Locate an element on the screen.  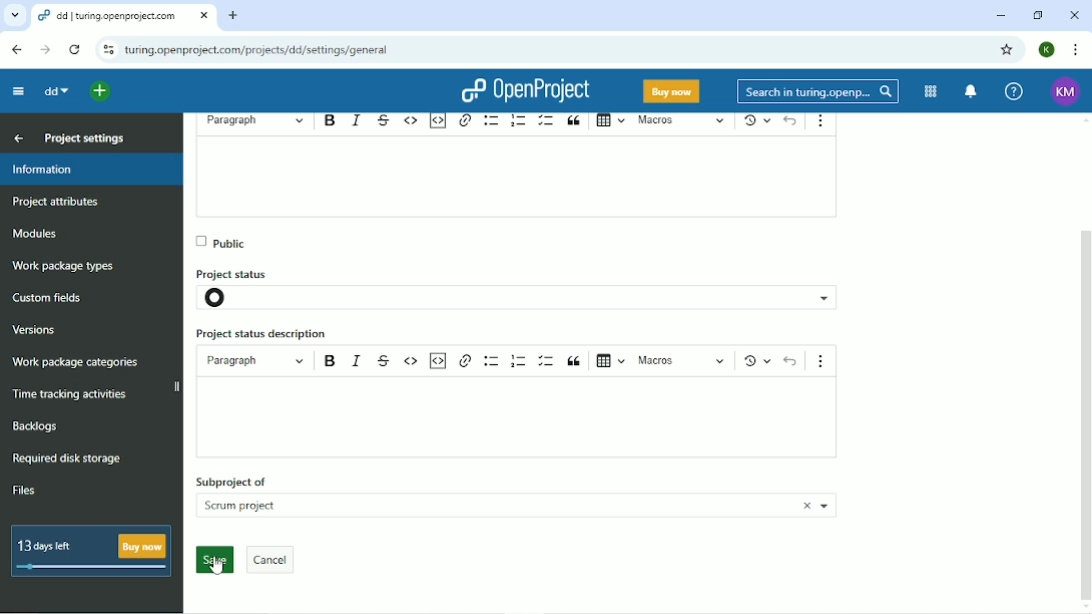
13 days left buy now is located at coordinates (92, 552).